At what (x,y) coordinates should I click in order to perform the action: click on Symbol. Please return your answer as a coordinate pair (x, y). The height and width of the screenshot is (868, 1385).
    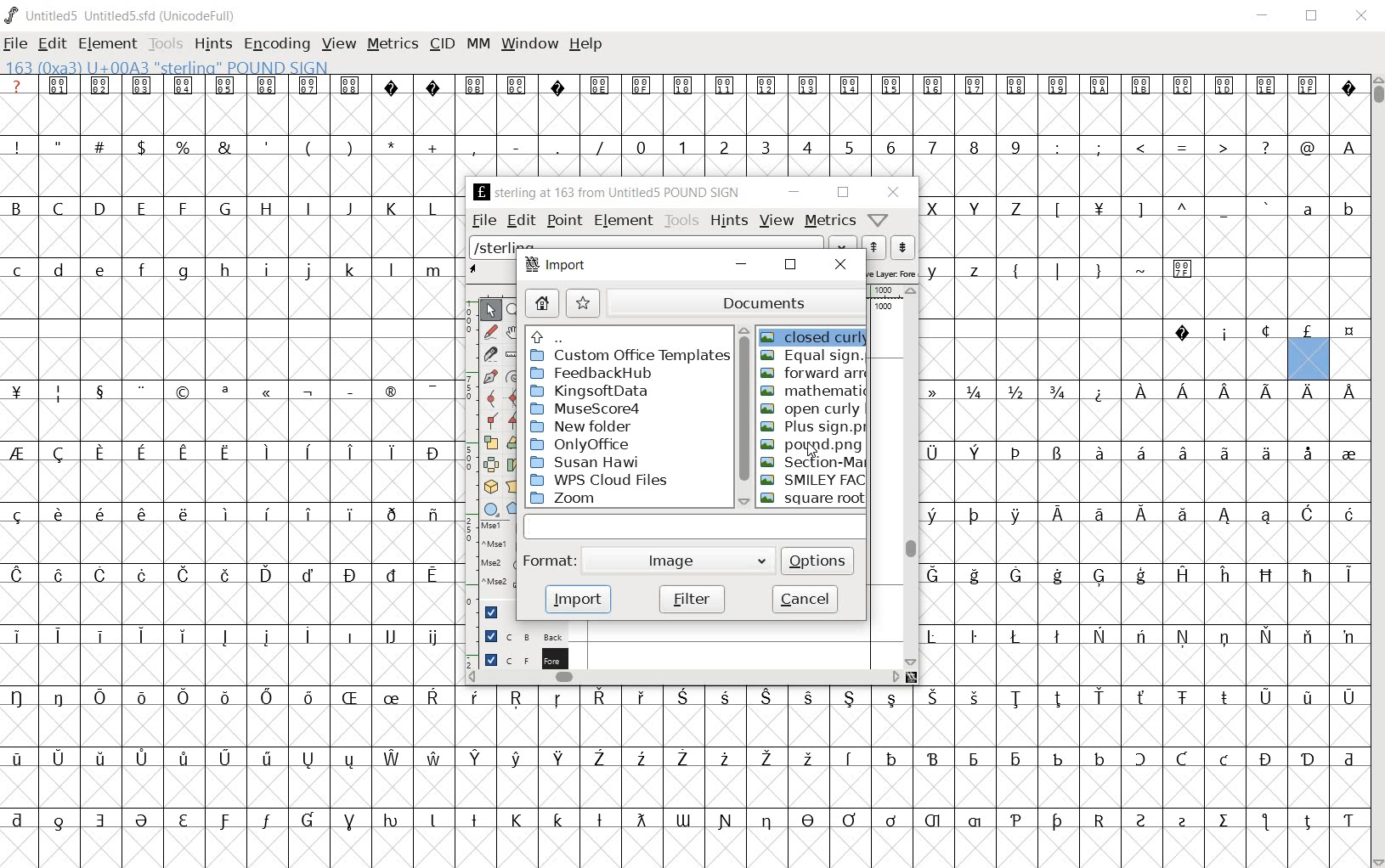
    Looking at the image, I should click on (477, 758).